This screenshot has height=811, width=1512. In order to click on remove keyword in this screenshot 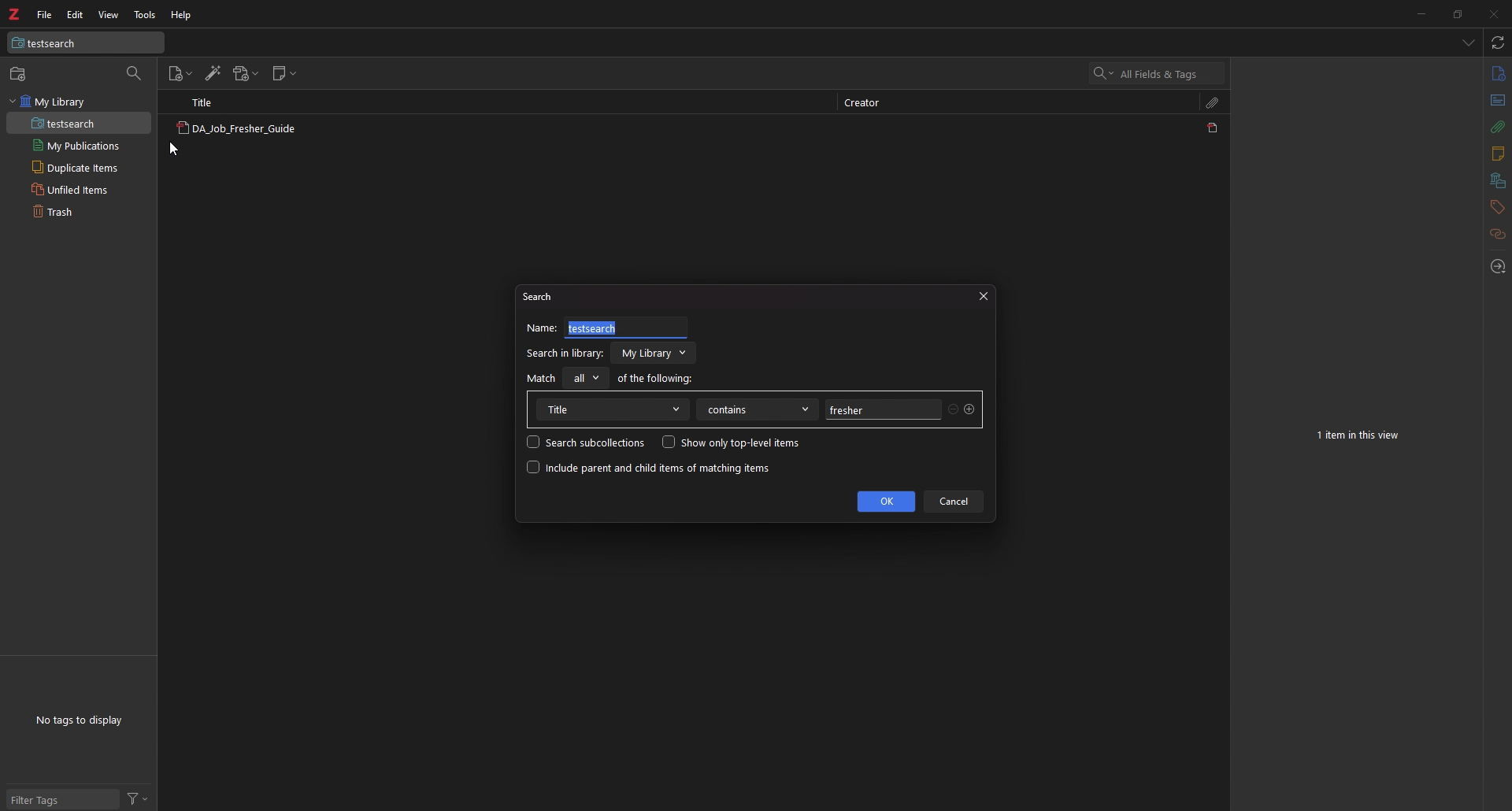, I will do `click(954, 411)`.